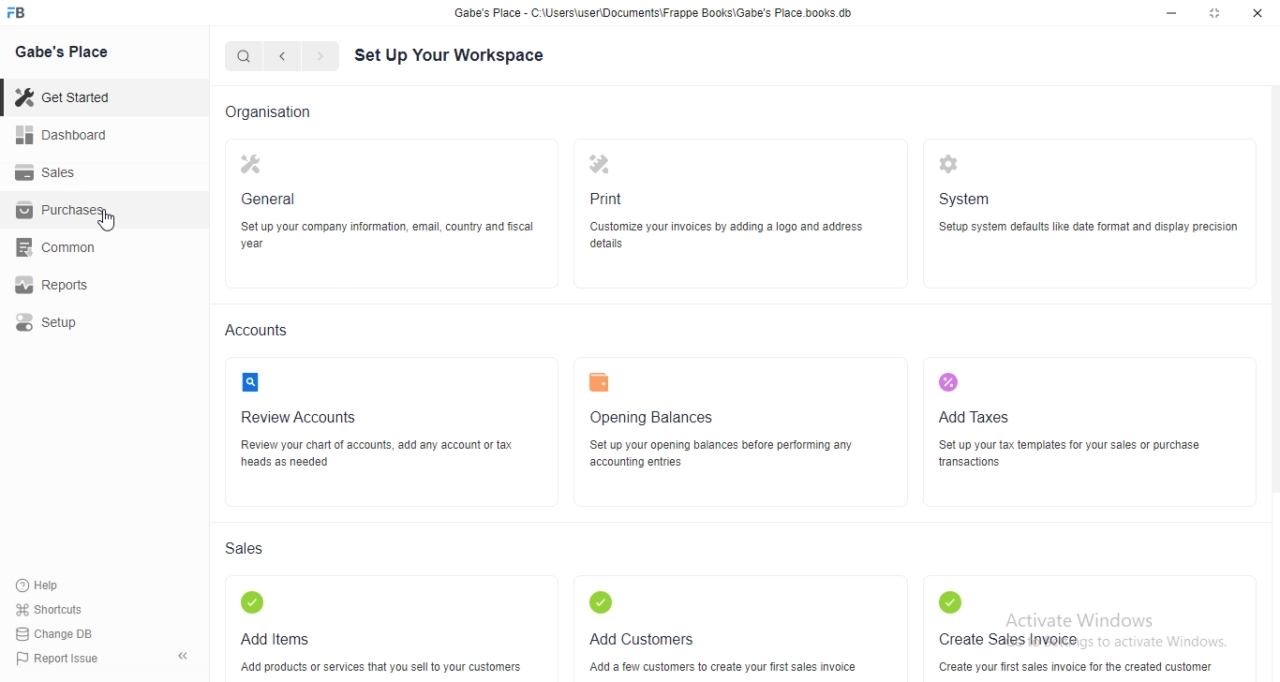  Describe the element at coordinates (15, 12) in the screenshot. I see `Frappe Books logo` at that location.